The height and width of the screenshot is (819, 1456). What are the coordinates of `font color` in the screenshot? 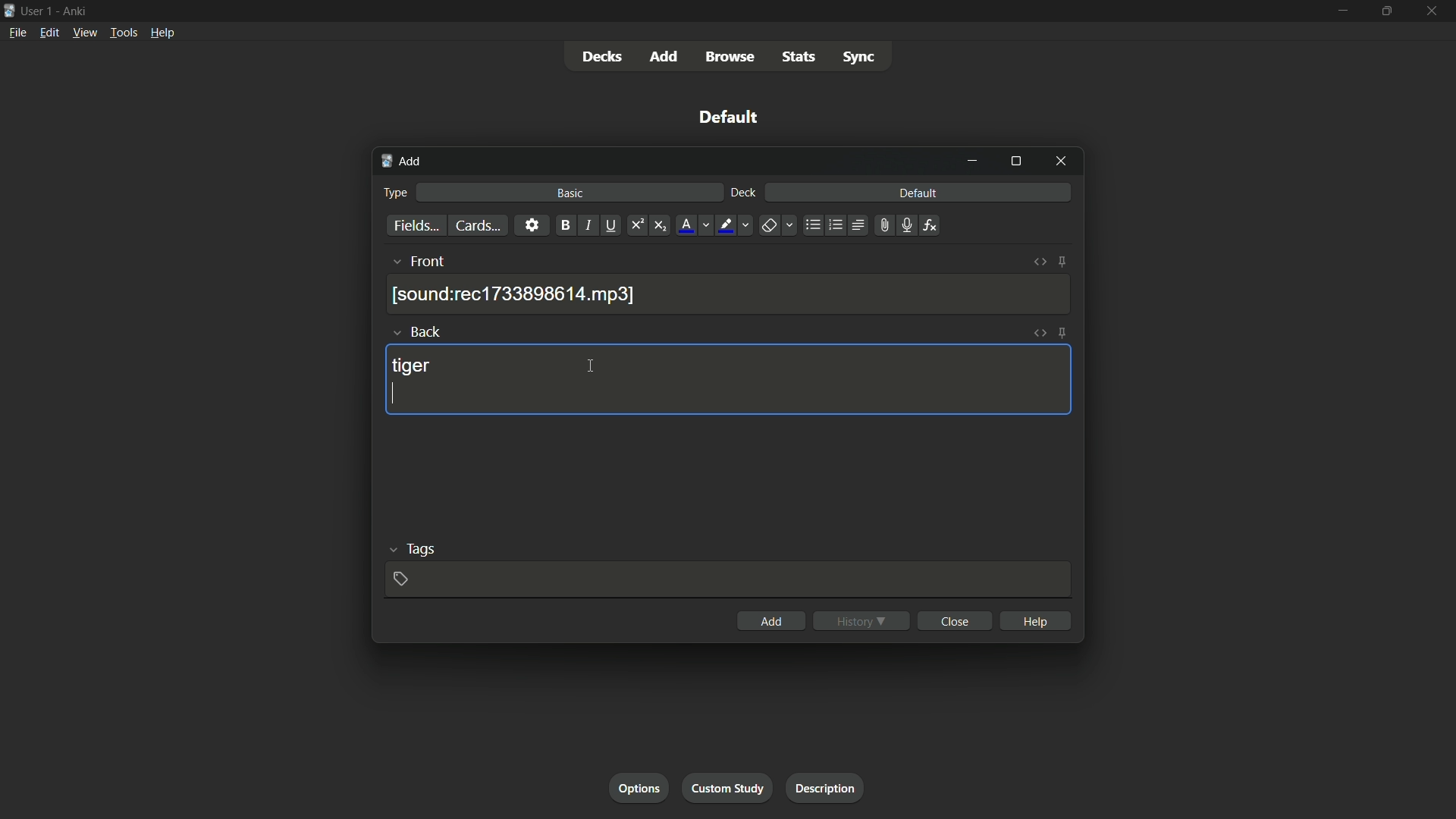 It's located at (685, 225).